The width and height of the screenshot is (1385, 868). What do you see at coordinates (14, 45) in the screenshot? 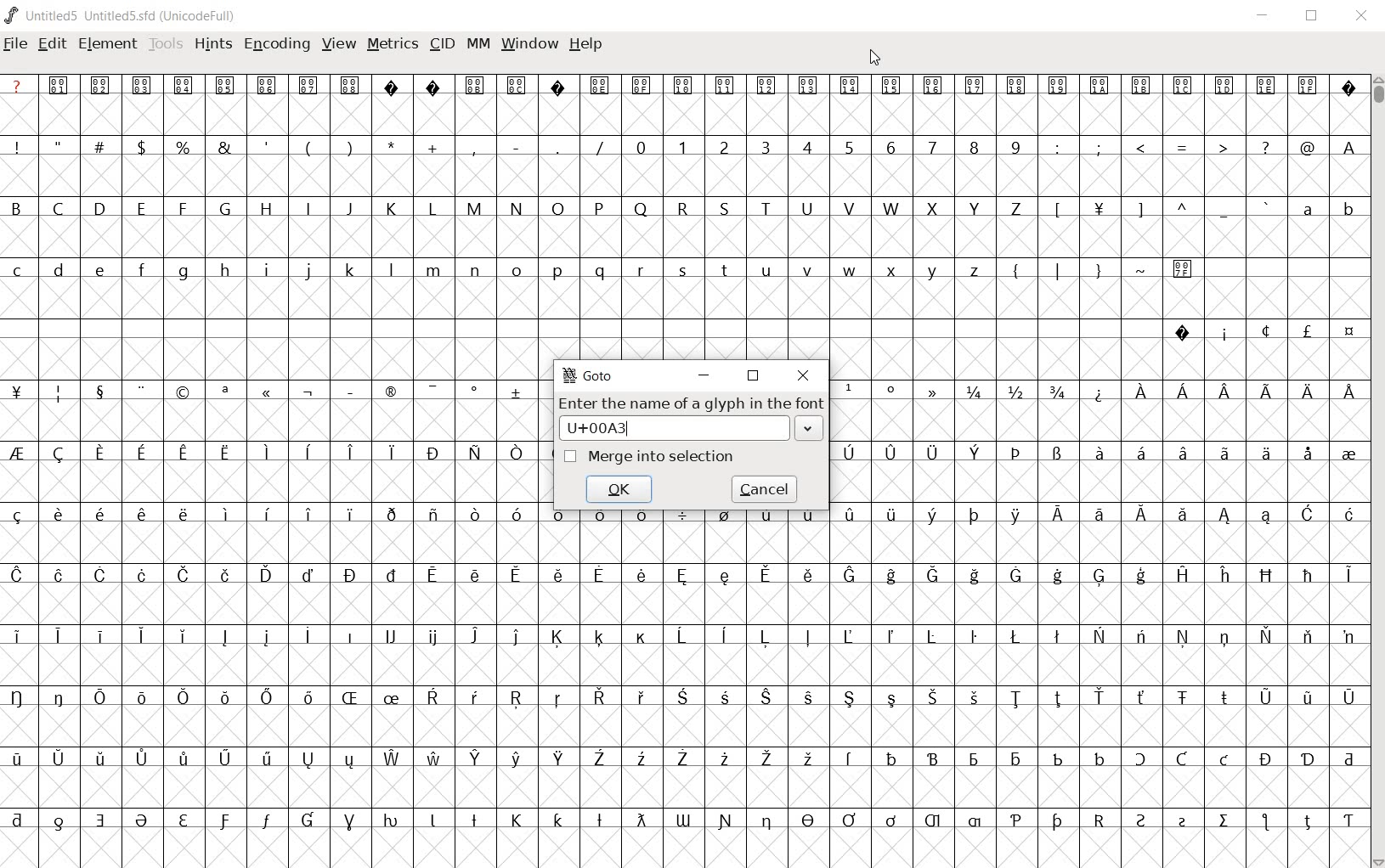
I see `file` at bounding box center [14, 45].